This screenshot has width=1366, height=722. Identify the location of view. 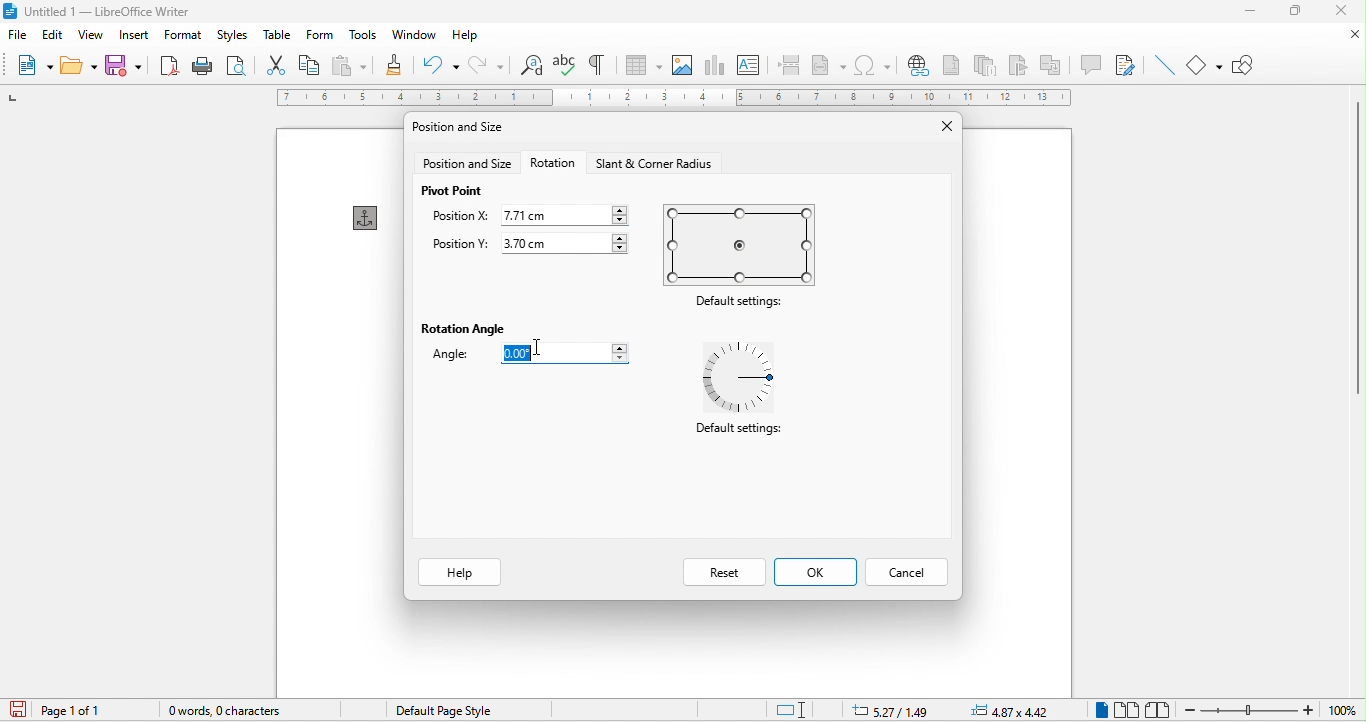
(94, 37).